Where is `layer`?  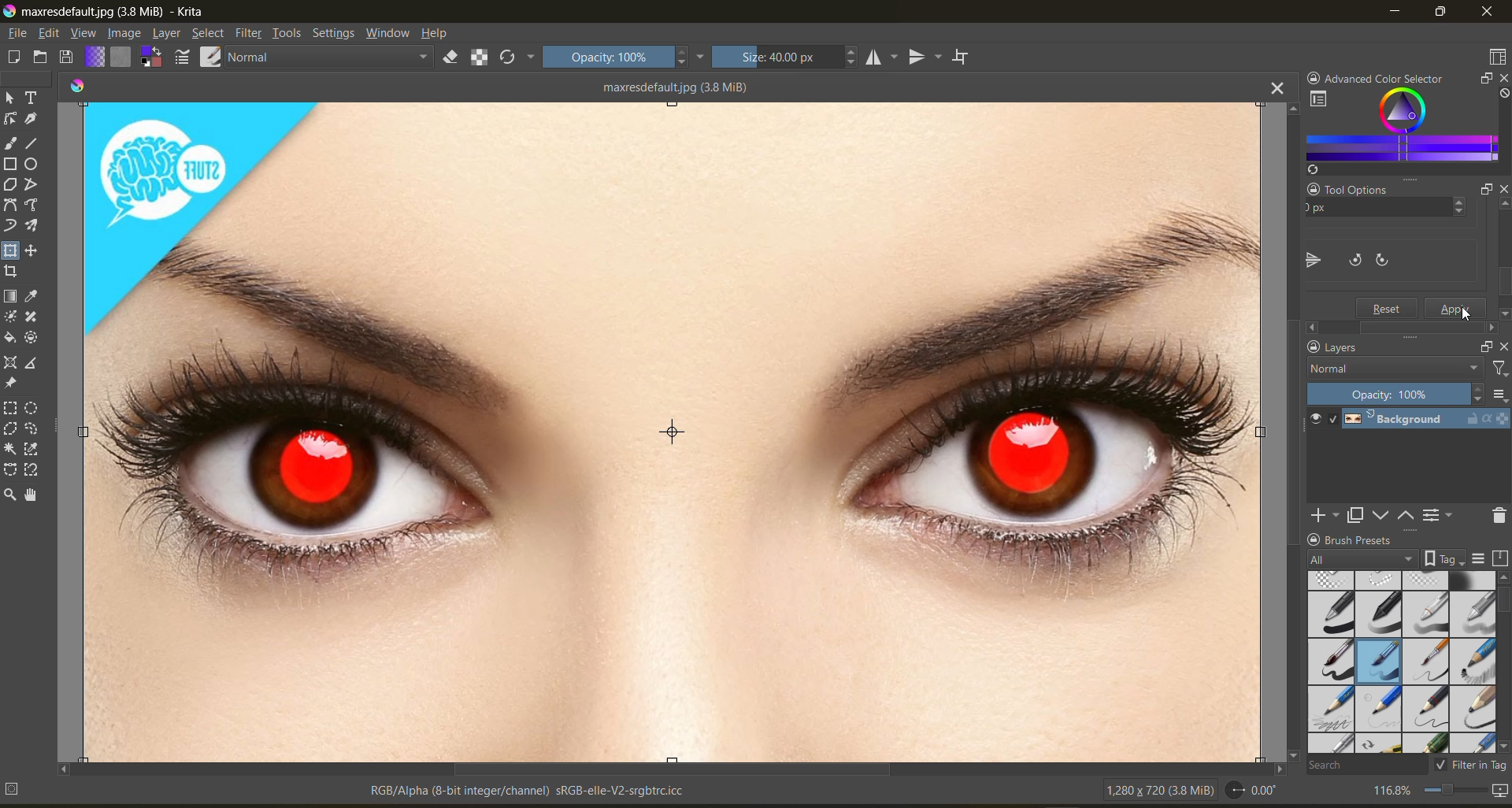 layer is located at coordinates (169, 34).